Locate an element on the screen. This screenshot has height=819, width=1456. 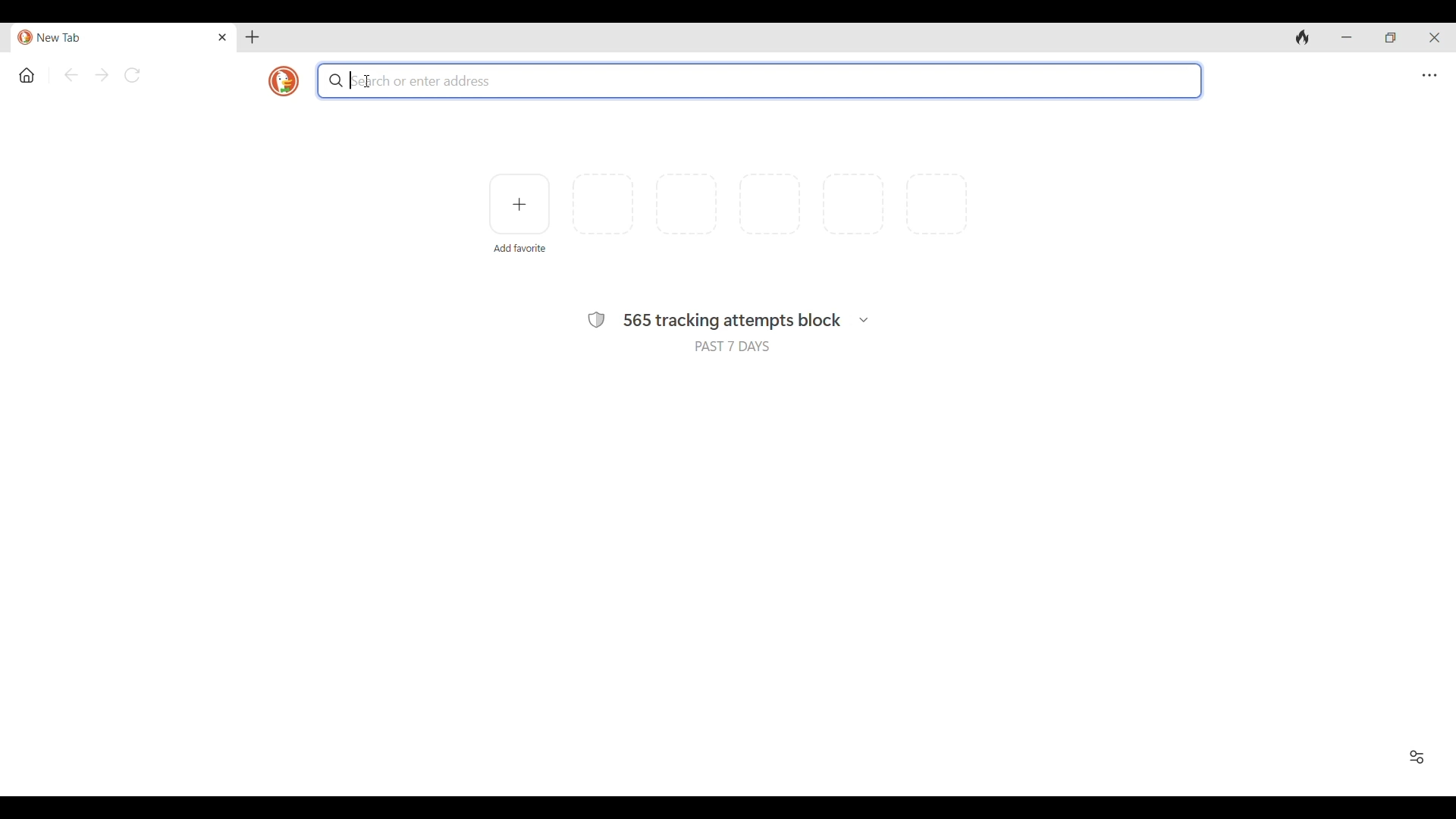
Show/Hide Recent Activity and Favorites icon is located at coordinates (1417, 758).